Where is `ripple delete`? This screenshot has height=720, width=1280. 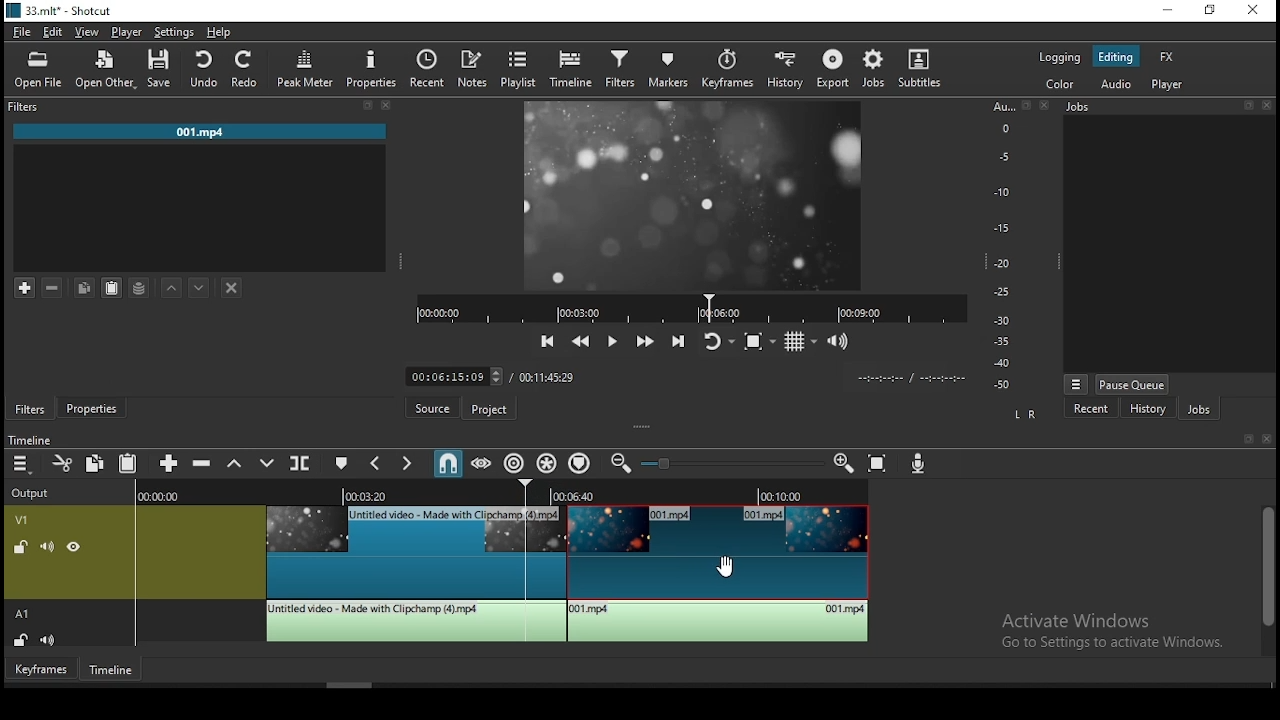
ripple delete is located at coordinates (203, 464).